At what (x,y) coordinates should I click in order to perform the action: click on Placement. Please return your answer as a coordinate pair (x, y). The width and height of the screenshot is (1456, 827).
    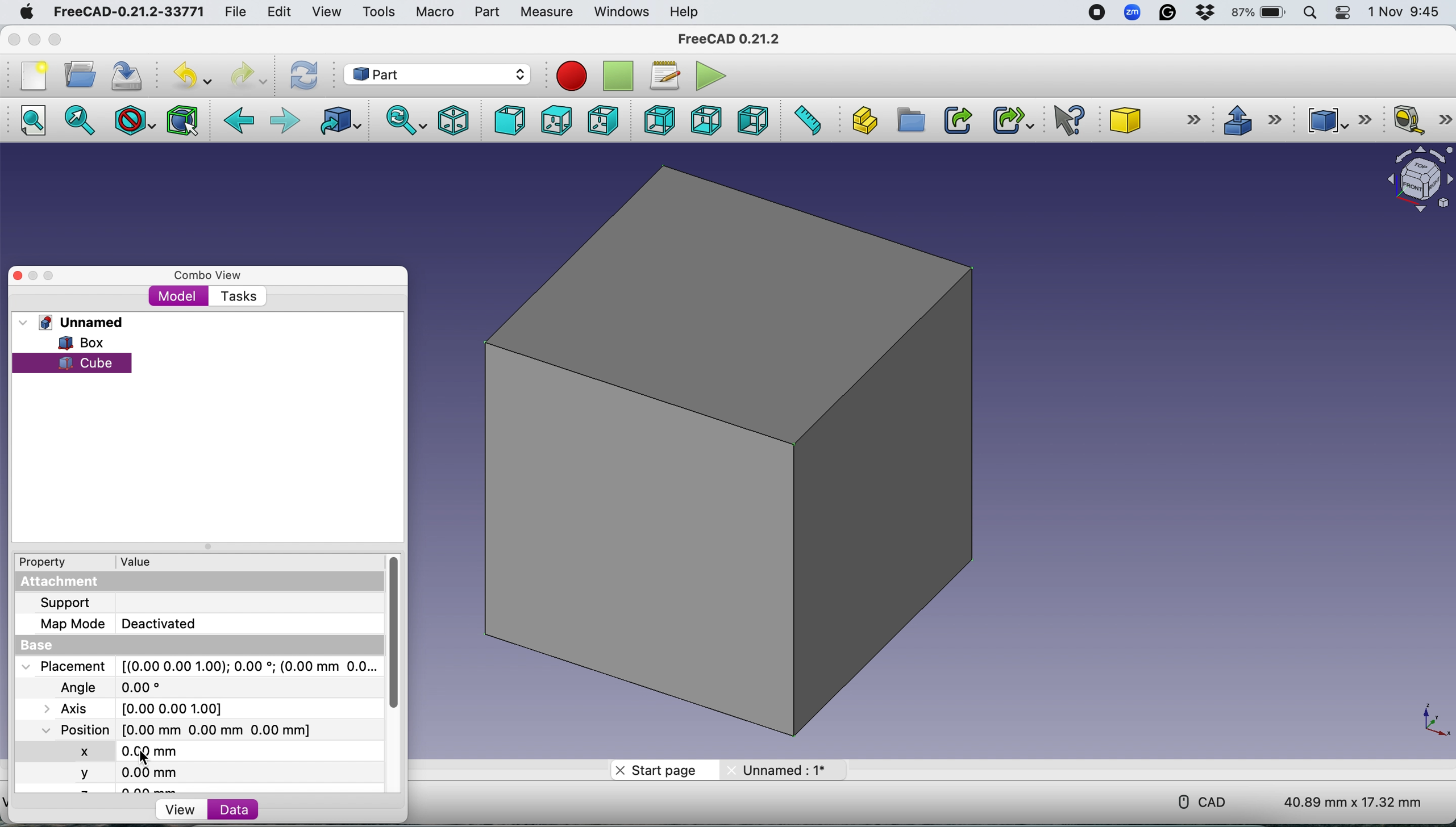
    Looking at the image, I should click on (202, 666).